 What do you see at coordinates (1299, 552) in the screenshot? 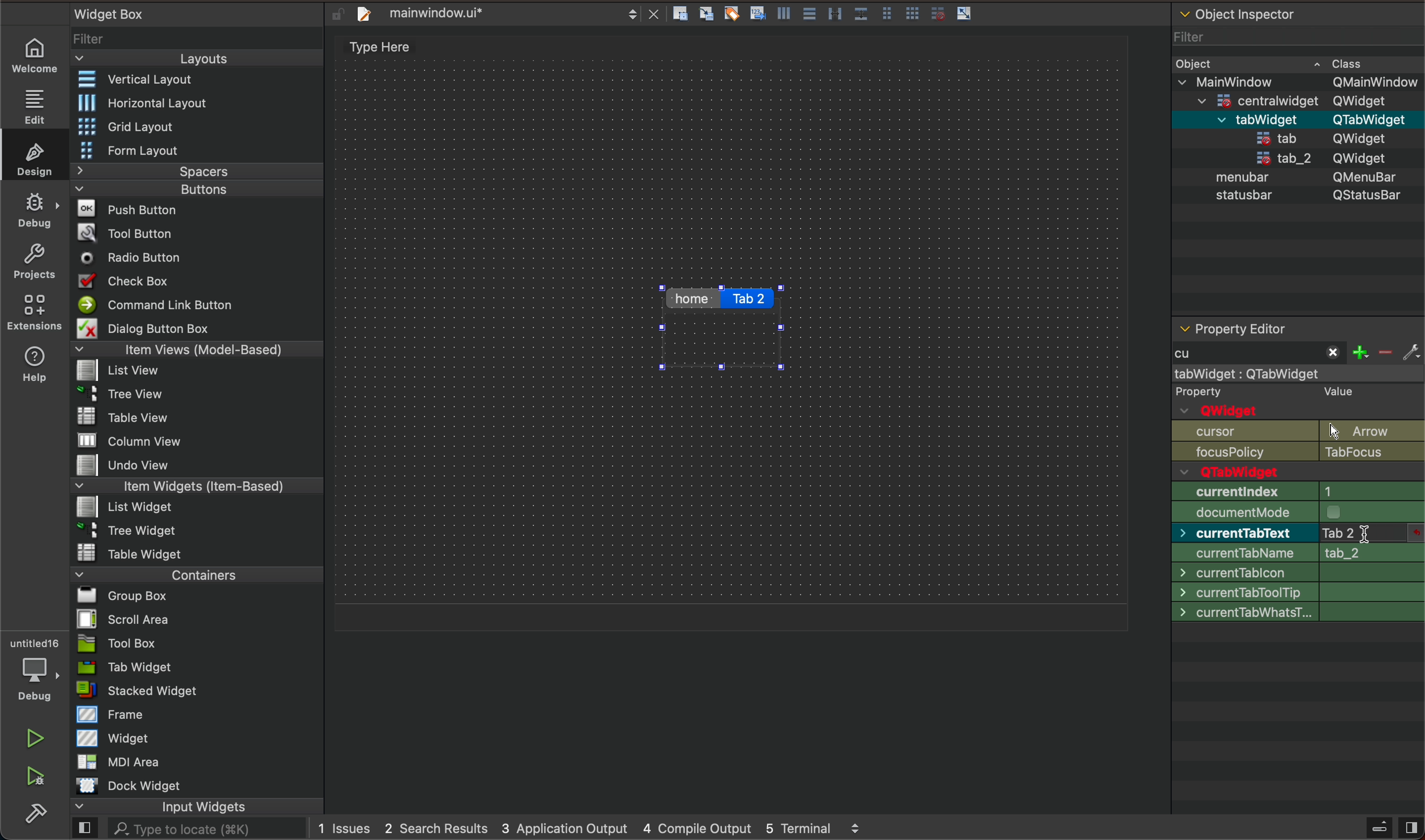
I see `` at bounding box center [1299, 552].